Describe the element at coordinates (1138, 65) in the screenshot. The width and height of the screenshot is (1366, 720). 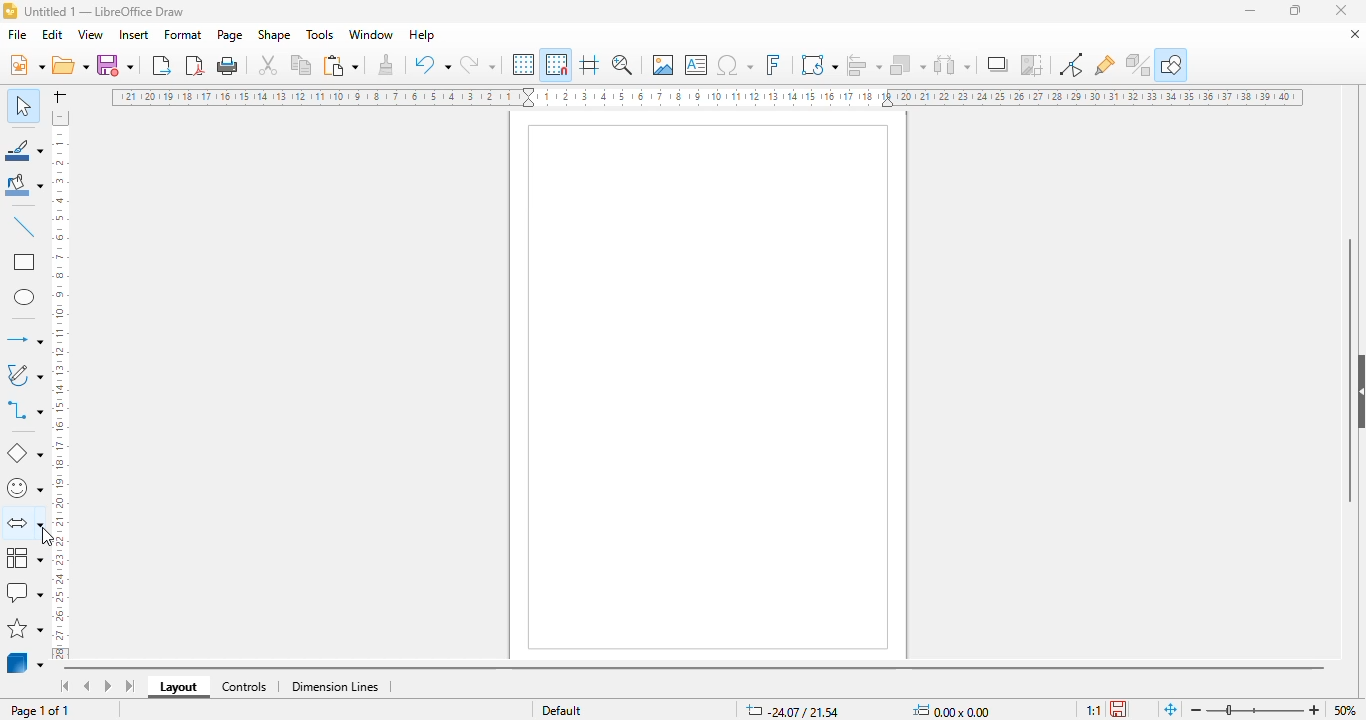
I see `toggle extrusion` at that location.